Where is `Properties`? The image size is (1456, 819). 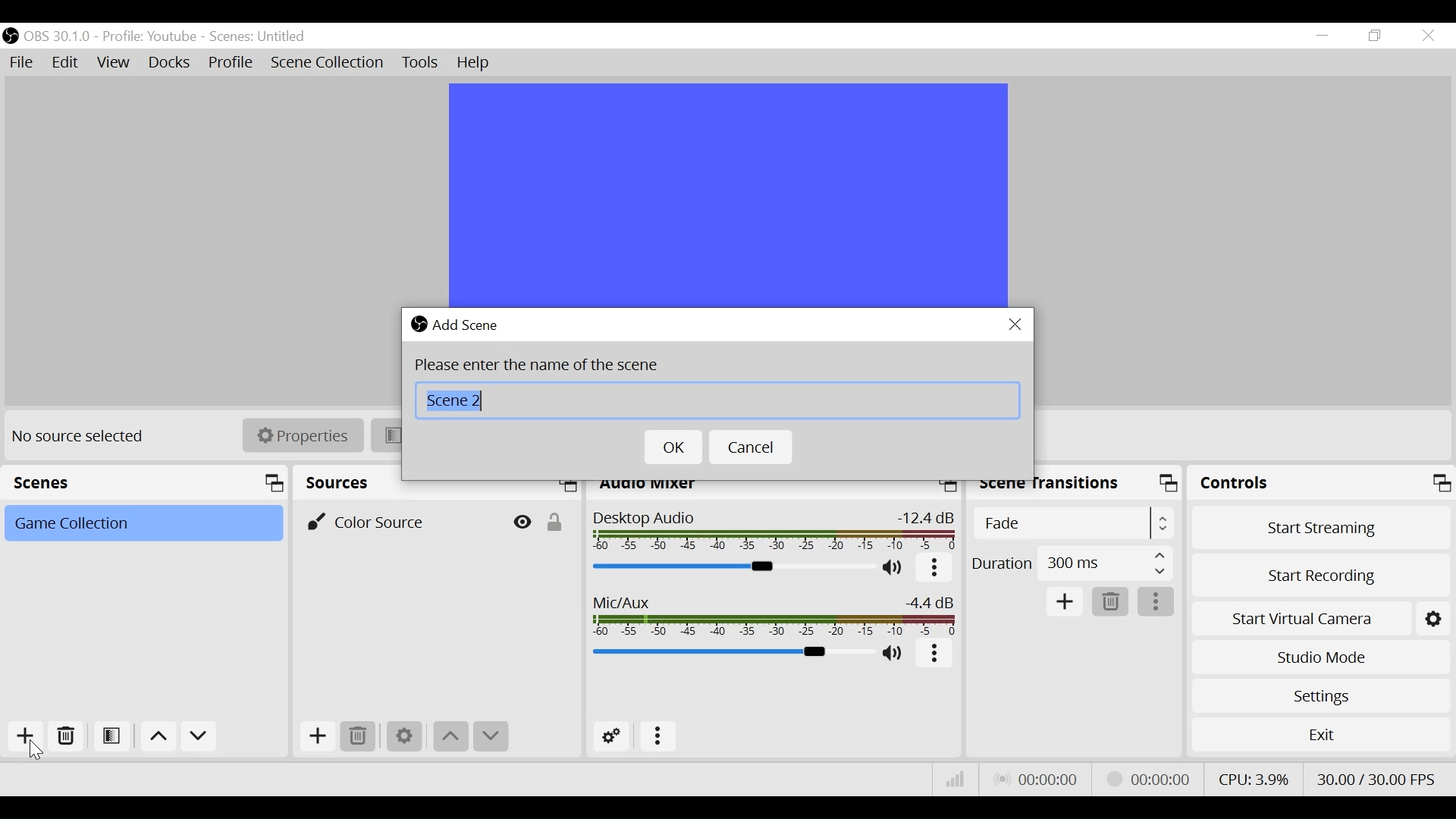
Properties is located at coordinates (302, 435).